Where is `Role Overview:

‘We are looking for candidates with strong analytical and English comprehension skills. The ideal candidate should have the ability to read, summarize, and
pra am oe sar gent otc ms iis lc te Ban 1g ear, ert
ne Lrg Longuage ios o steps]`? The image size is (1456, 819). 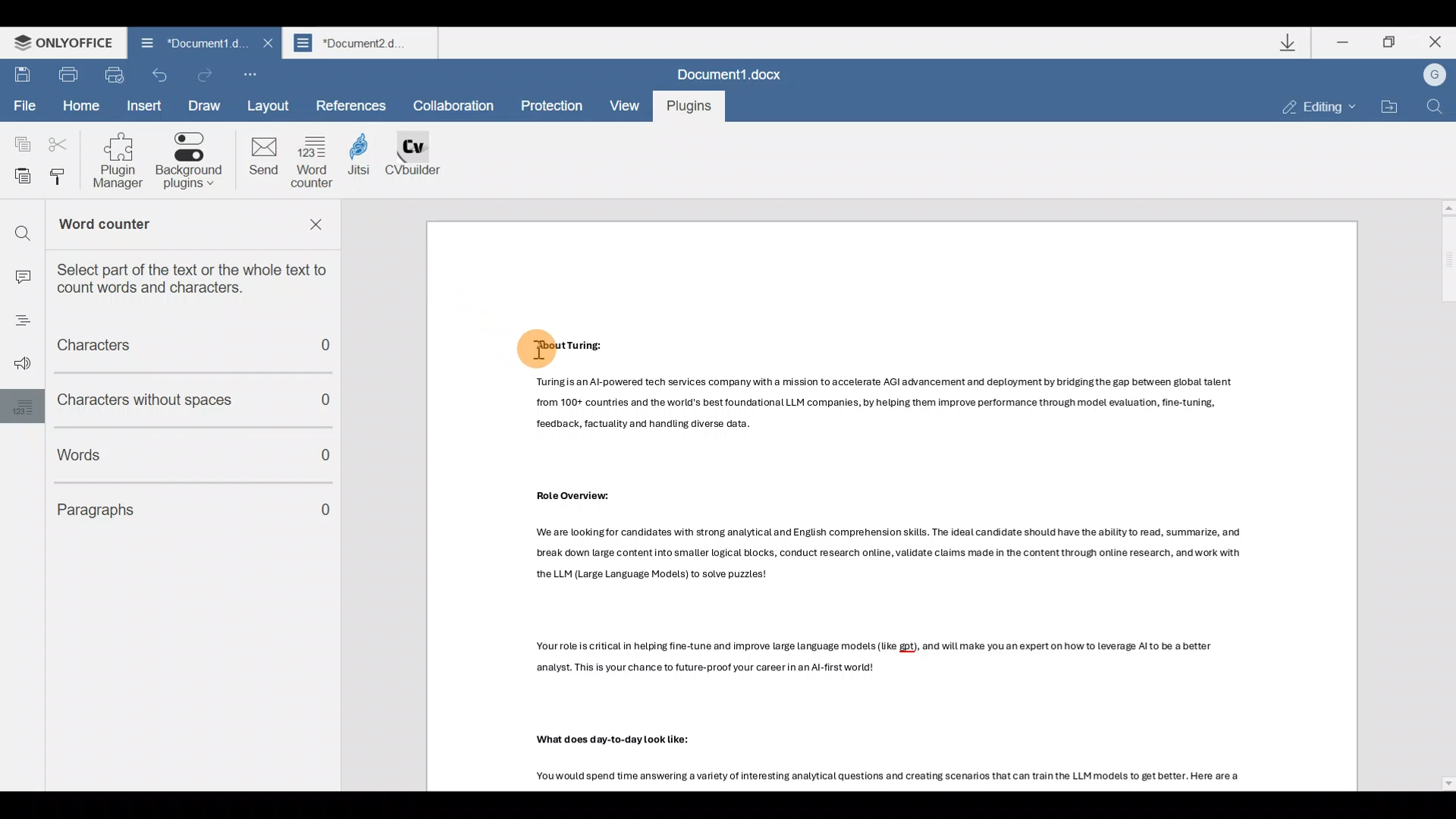
Role Overview:

‘We are looking for candidates with strong analytical and English comprehension skills. The ideal candidate should have the ability to read, summarize, and
pra am oe sar gent otc ms iis lc te Ban 1g ear, ert
ne Lrg Longuage ios o steps] is located at coordinates (905, 541).